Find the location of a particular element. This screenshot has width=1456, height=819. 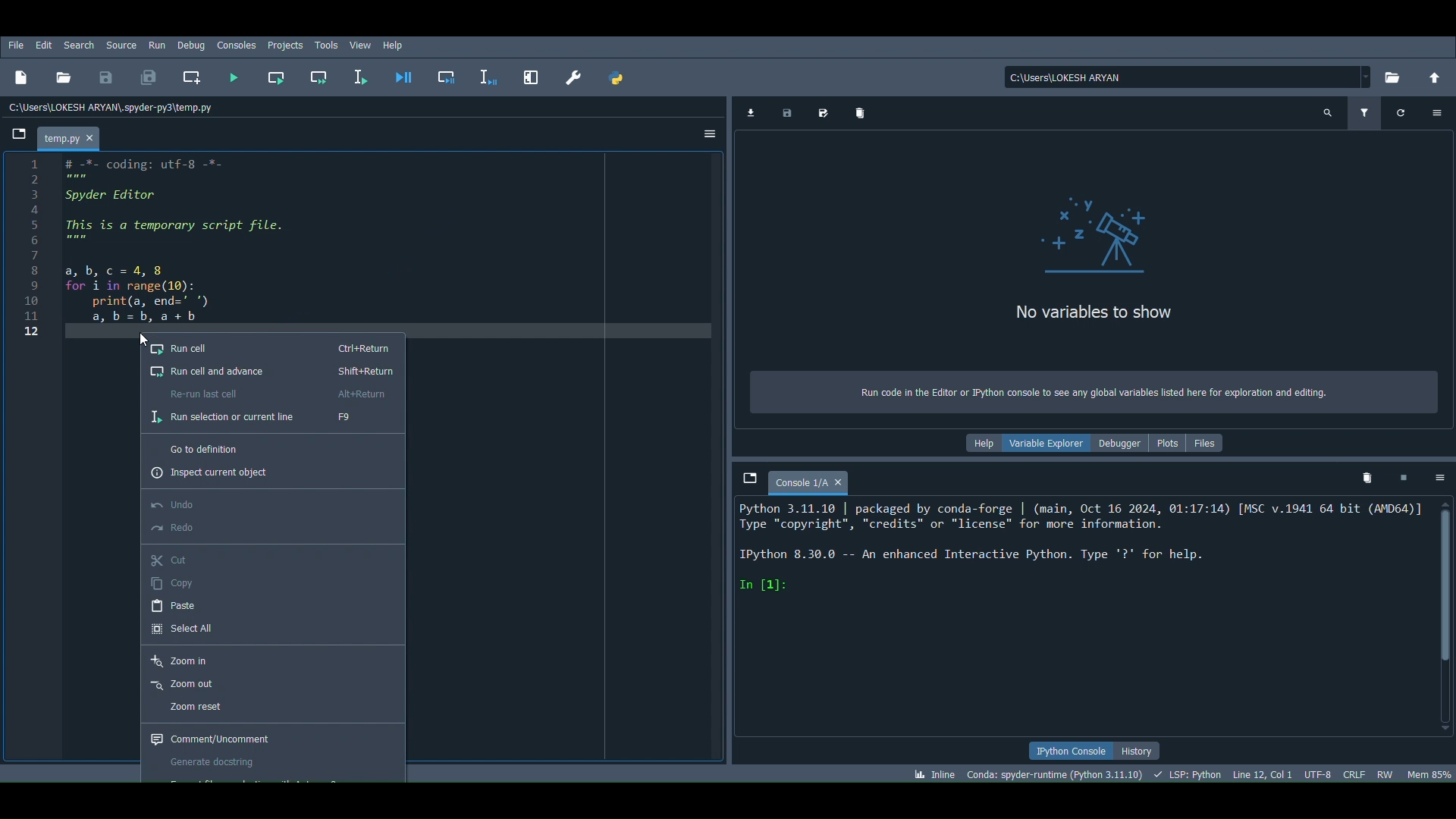

Run cell and advance is located at coordinates (268, 372).